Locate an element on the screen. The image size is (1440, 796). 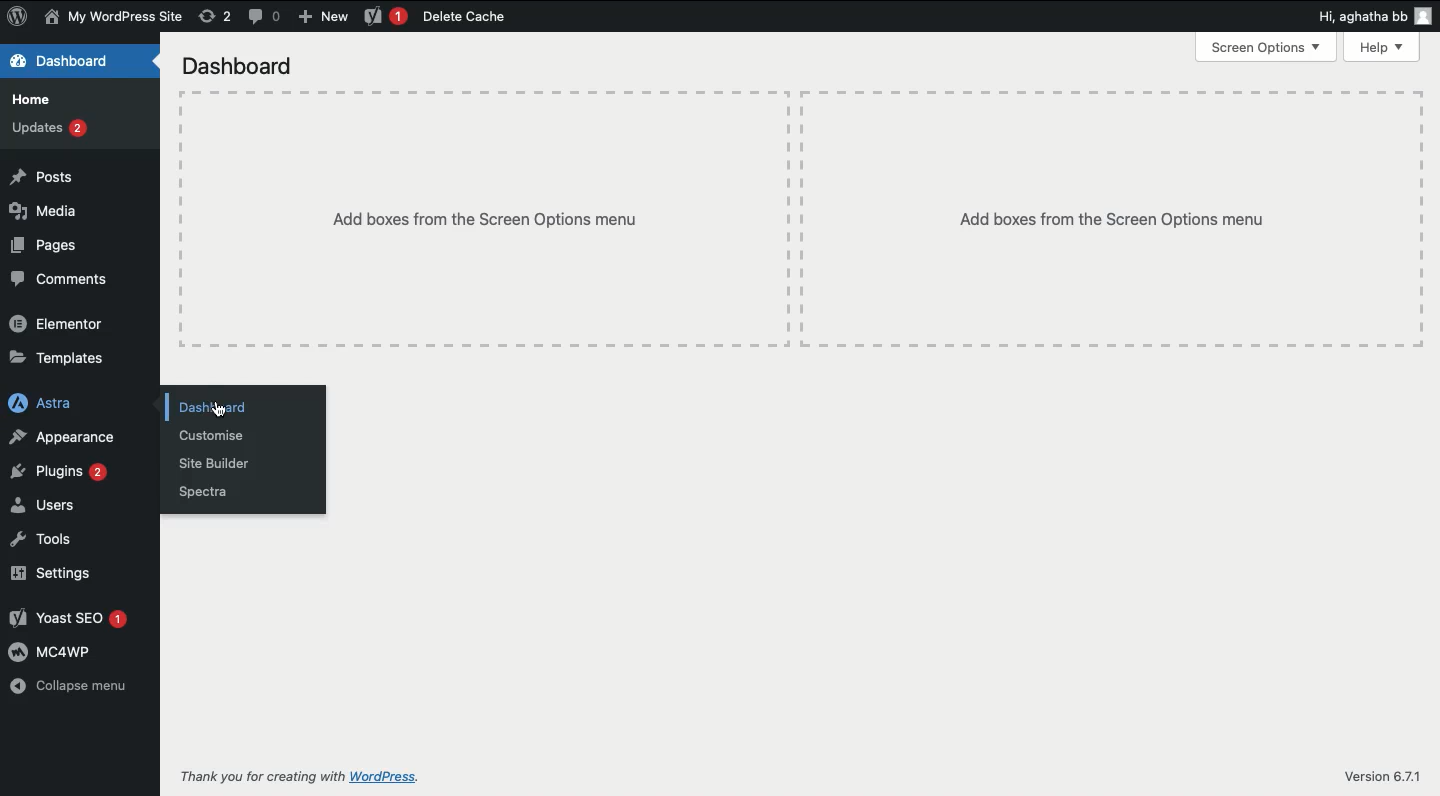
Yoast is located at coordinates (384, 17).